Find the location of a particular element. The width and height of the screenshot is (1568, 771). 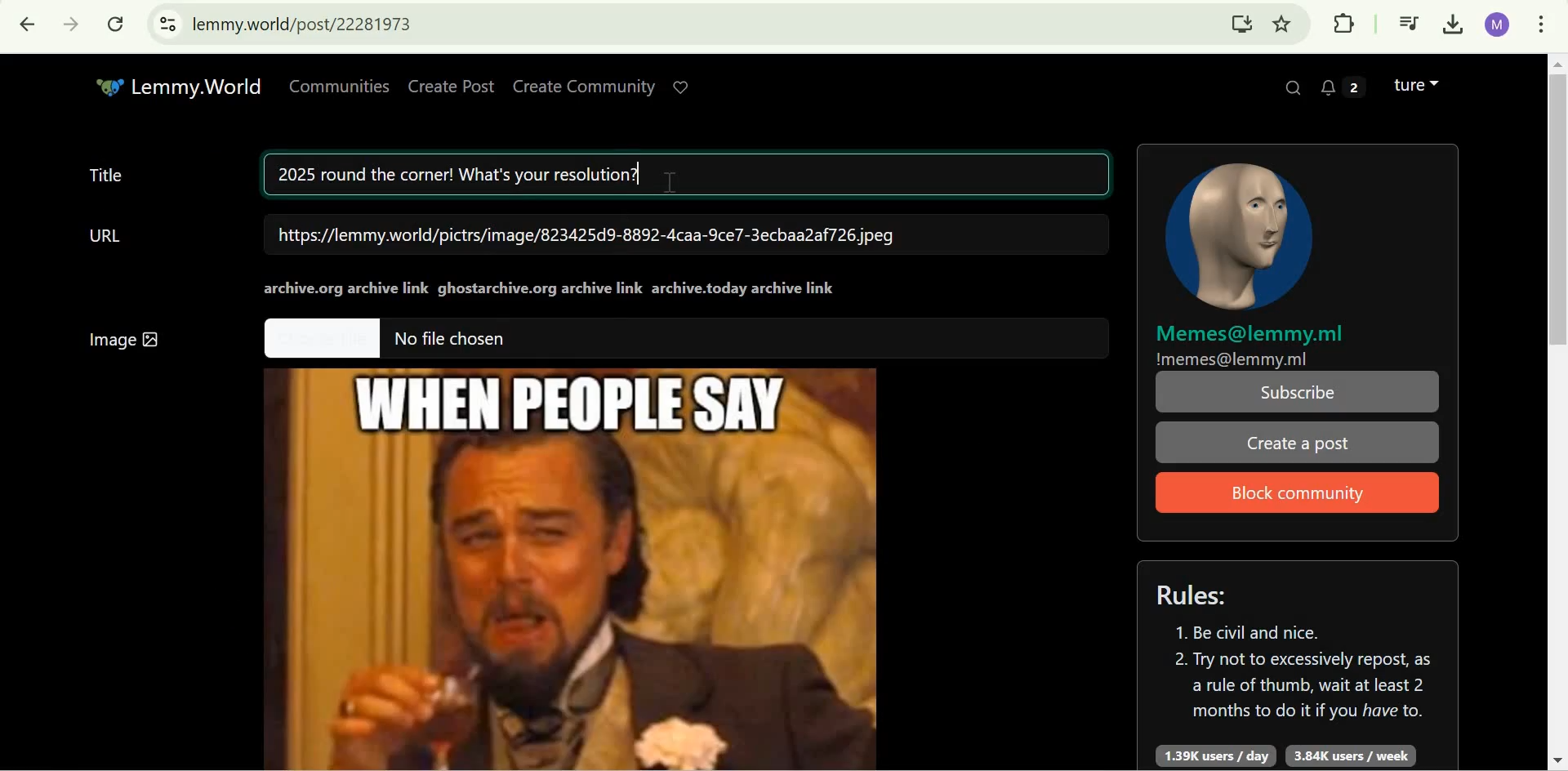

Create Community is located at coordinates (583, 87).